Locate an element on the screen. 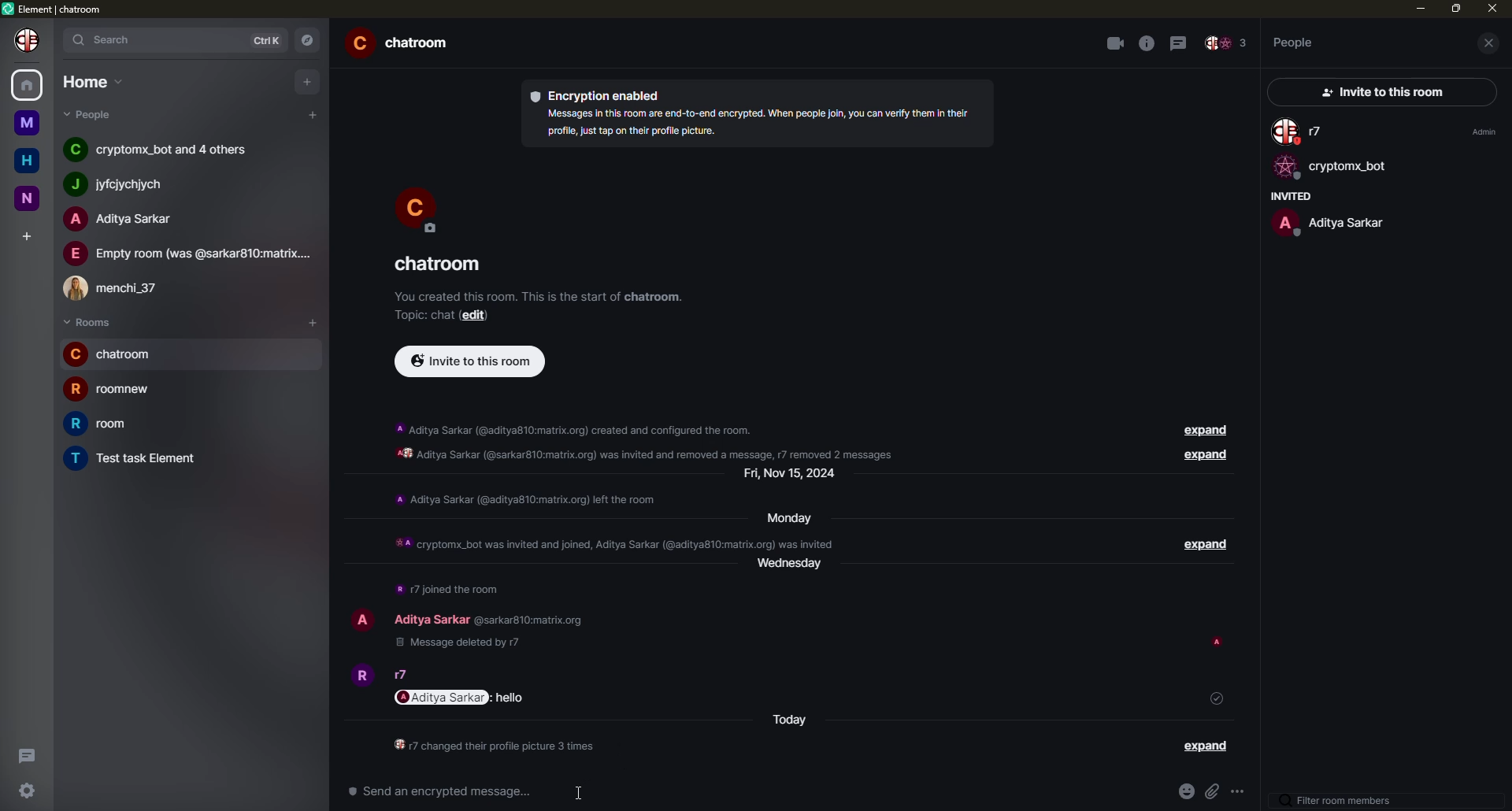   Send an encrypted message... is located at coordinates (443, 791).